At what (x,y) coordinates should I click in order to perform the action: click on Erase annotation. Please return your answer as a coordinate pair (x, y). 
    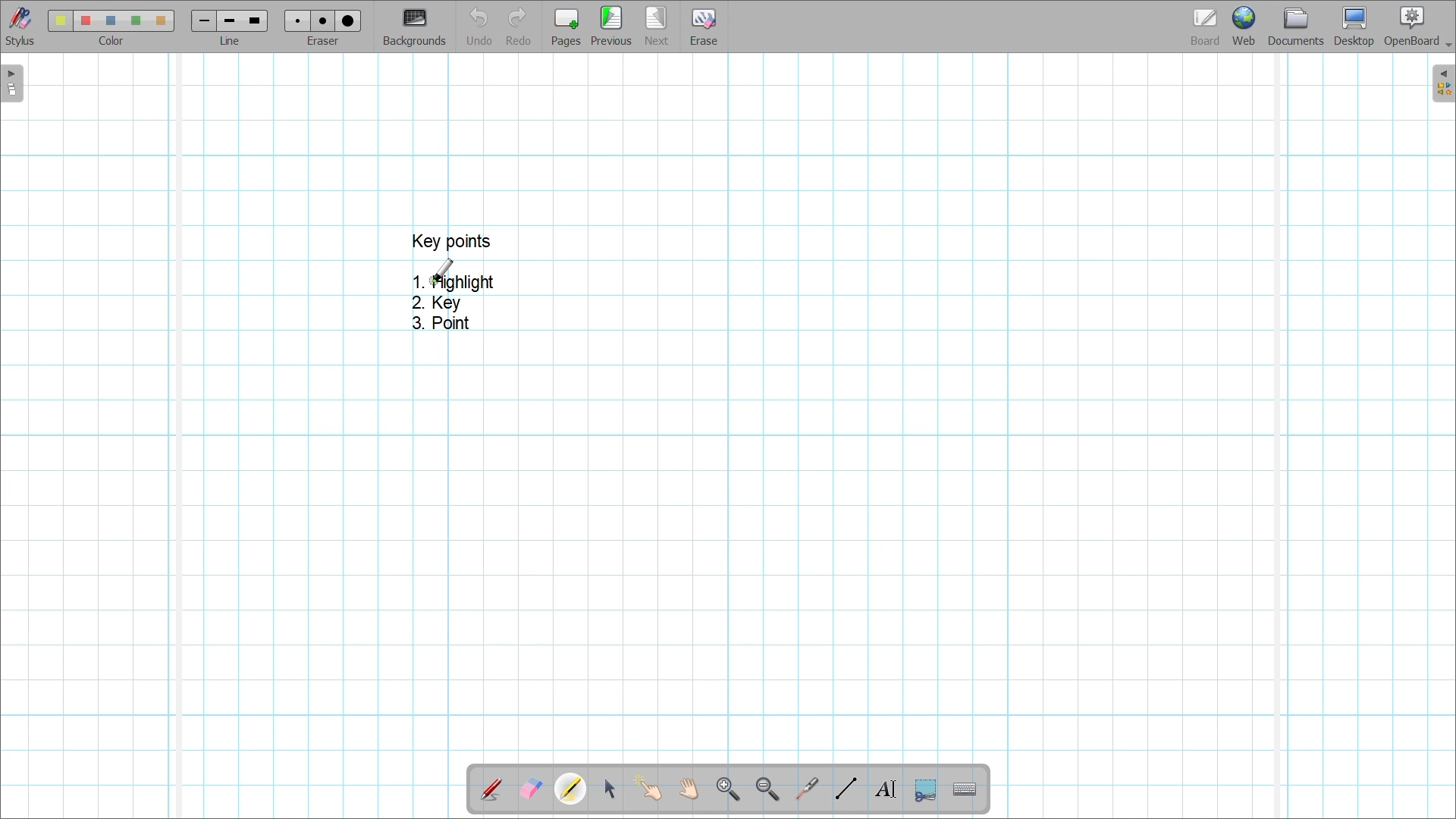
    Looking at the image, I should click on (532, 789).